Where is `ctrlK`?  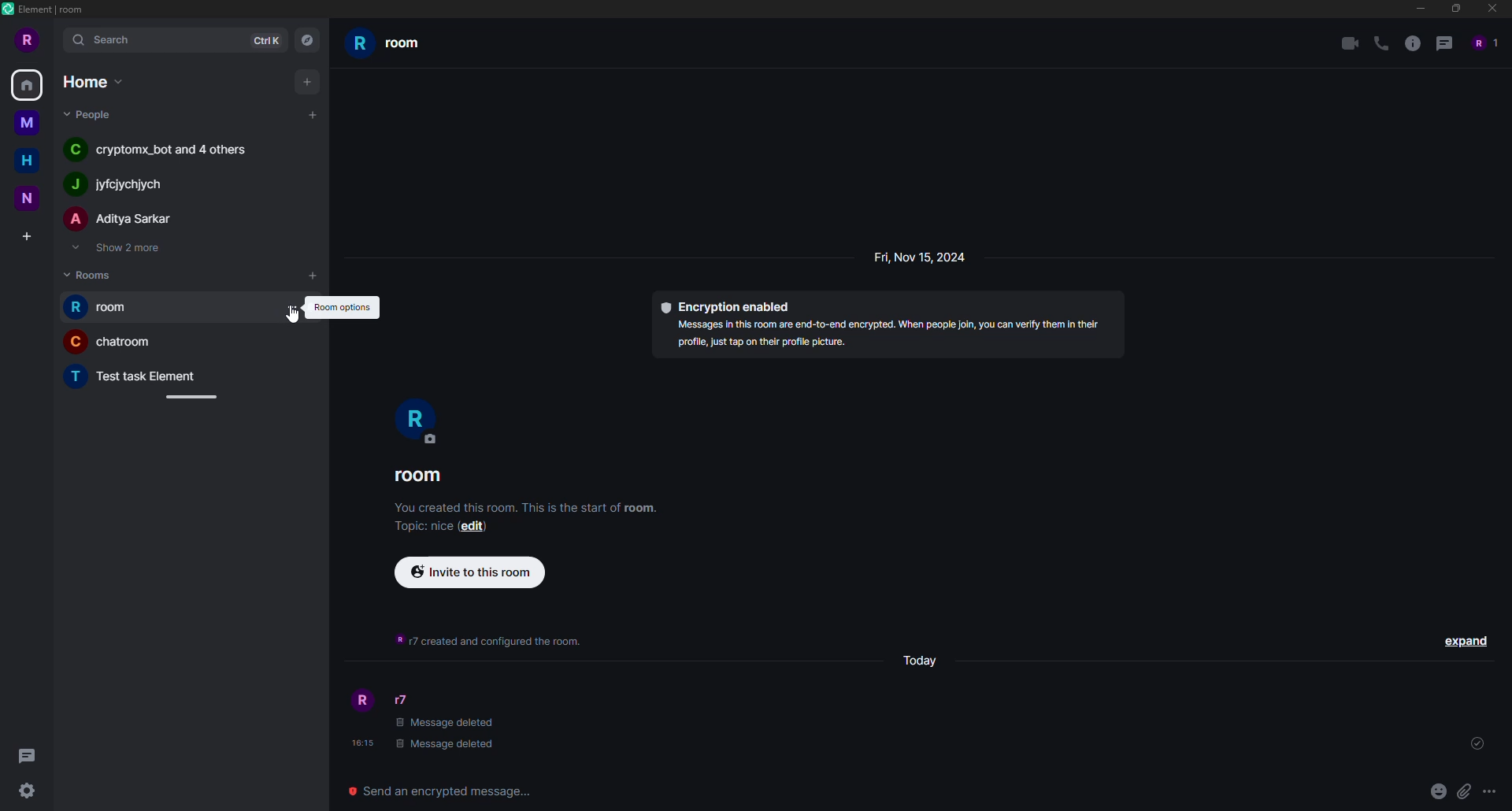 ctrlK is located at coordinates (266, 39).